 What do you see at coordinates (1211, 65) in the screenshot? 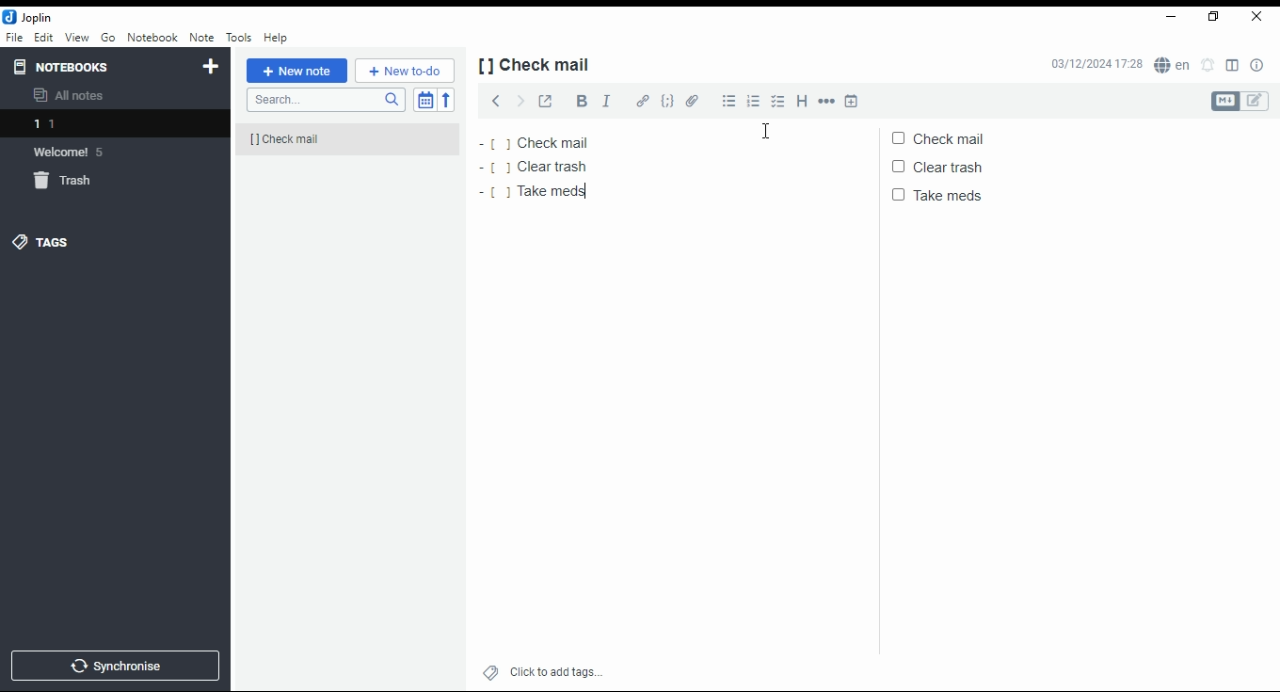
I see `set alarm` at bounding box center [1211, 65].